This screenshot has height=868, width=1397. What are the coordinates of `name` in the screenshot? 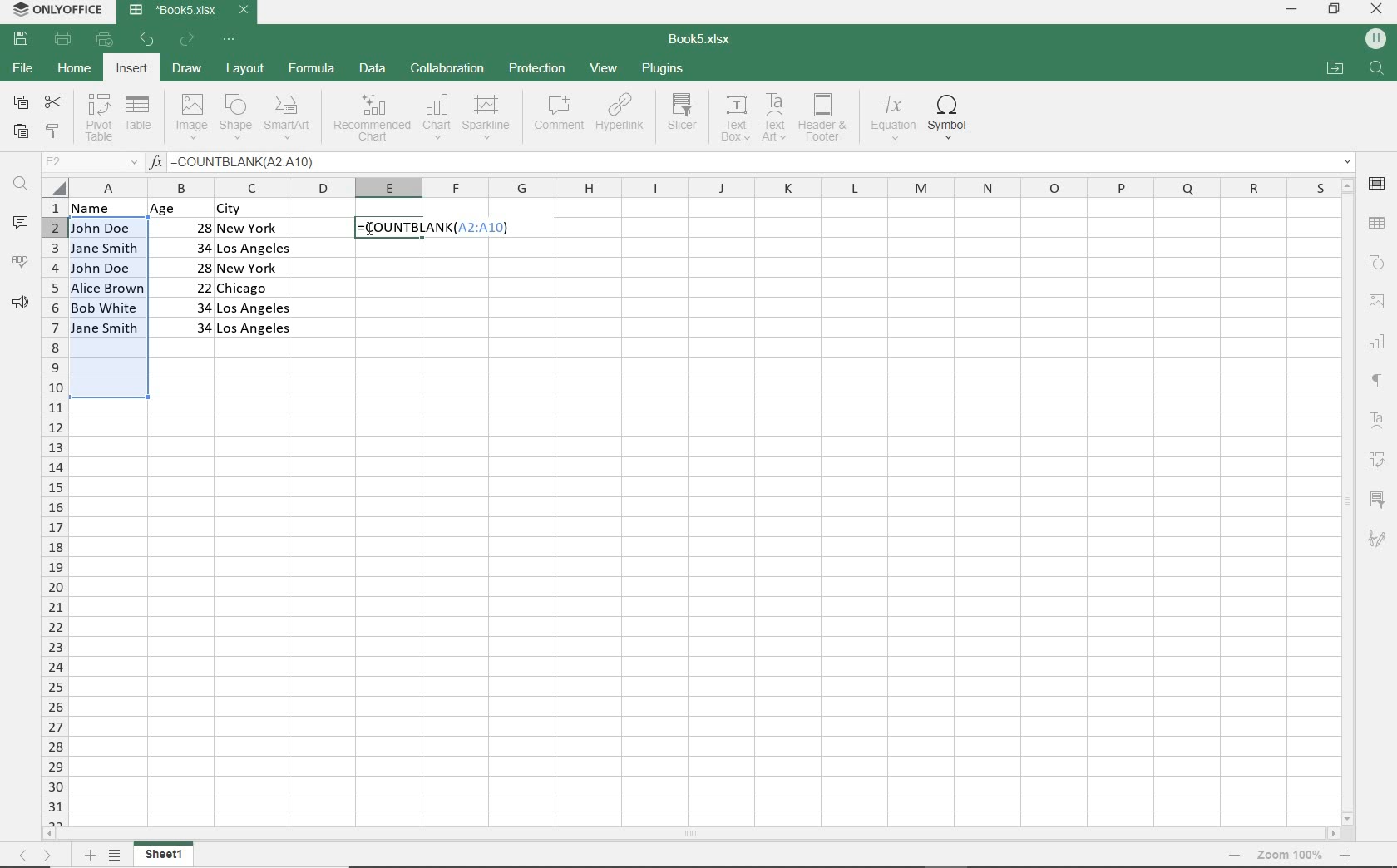 It's located at (100, 209).